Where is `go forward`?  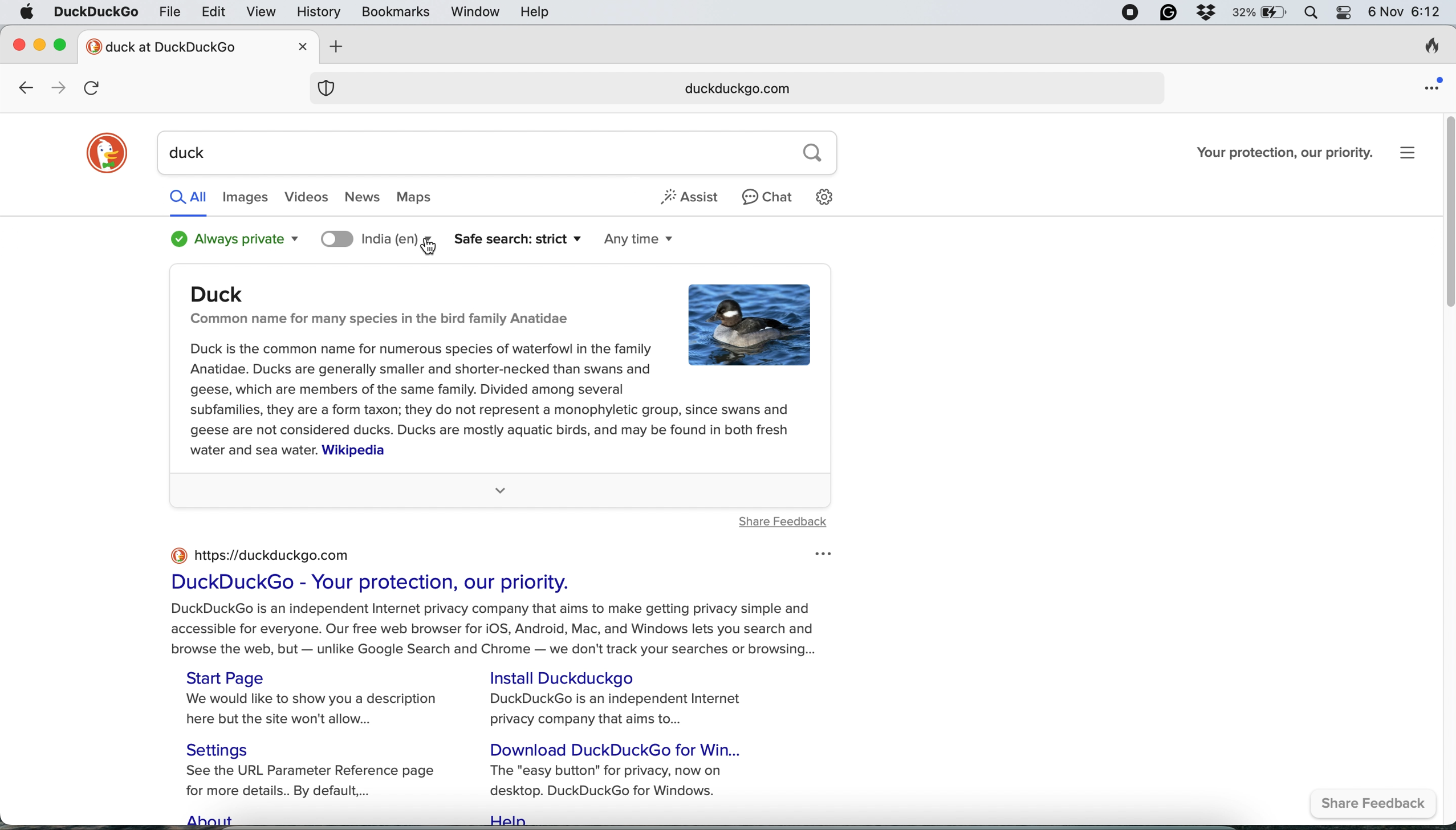
go forward is located at coordinates (55, 88).